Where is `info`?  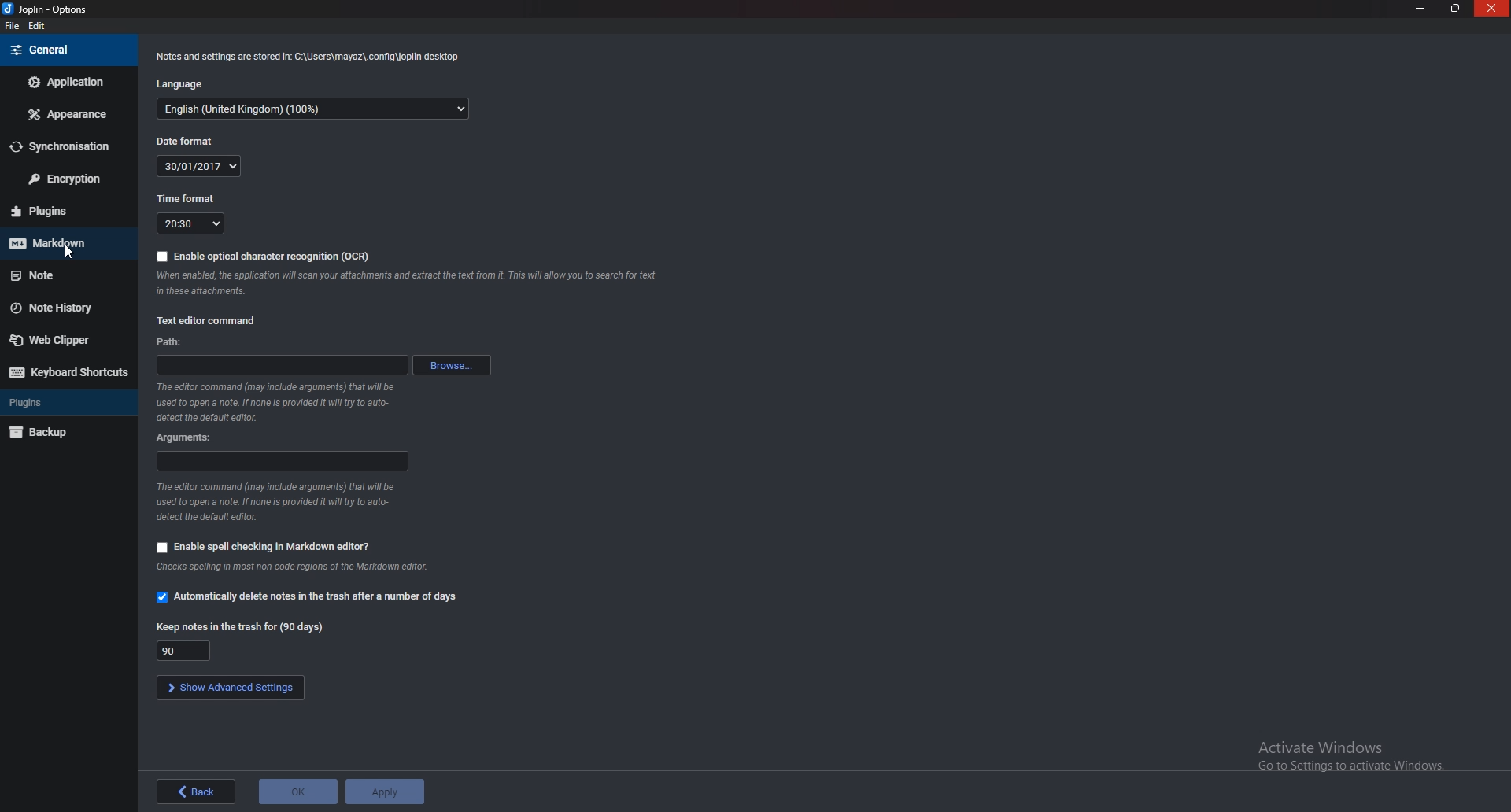 info is located at coordinates (403, 282).